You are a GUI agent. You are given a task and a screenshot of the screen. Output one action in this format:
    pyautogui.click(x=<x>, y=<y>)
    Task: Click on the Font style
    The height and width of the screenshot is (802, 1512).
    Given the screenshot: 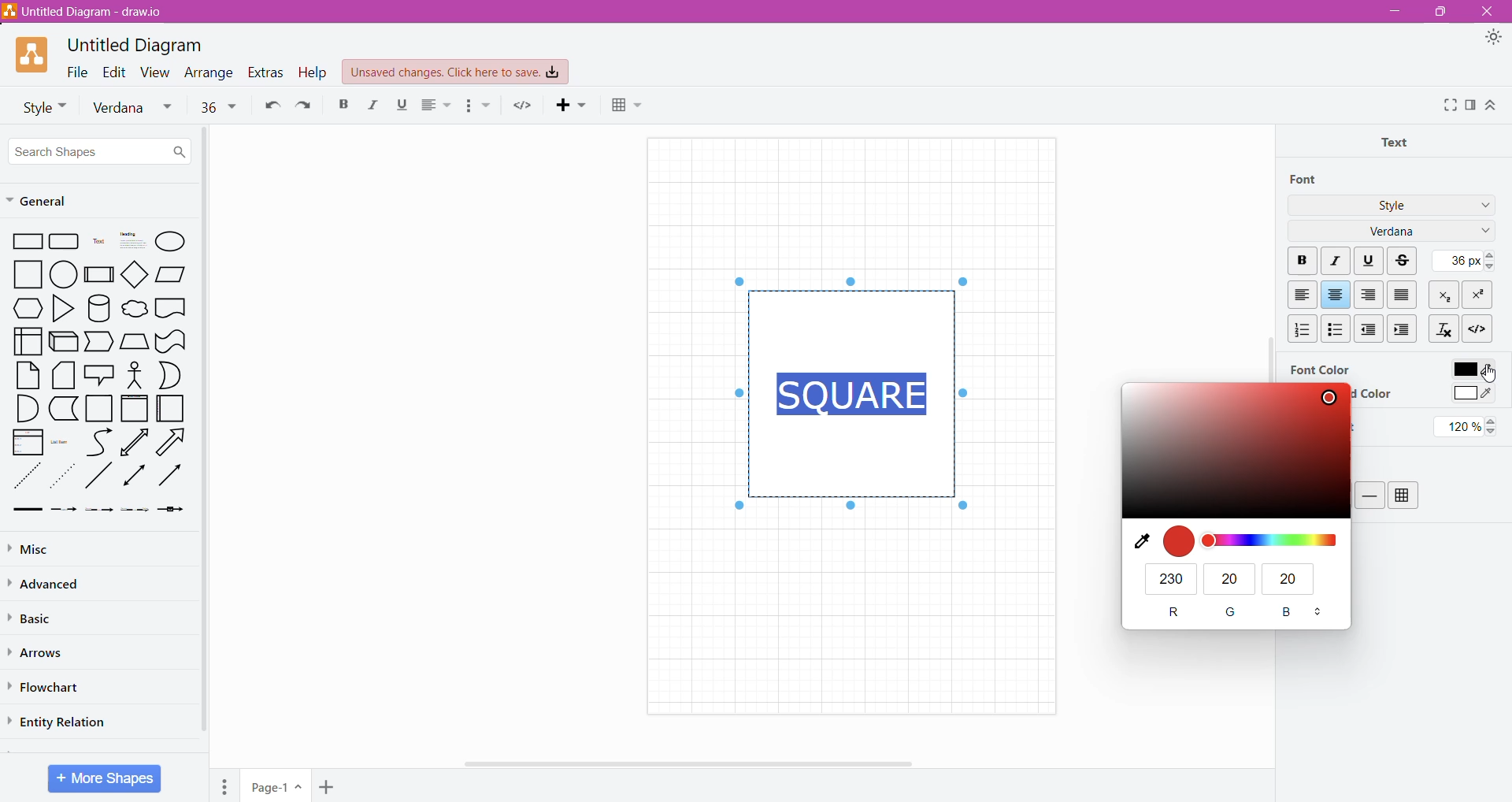 What is the action you would take?
    pyautogui.click(x=39, y=106)
    